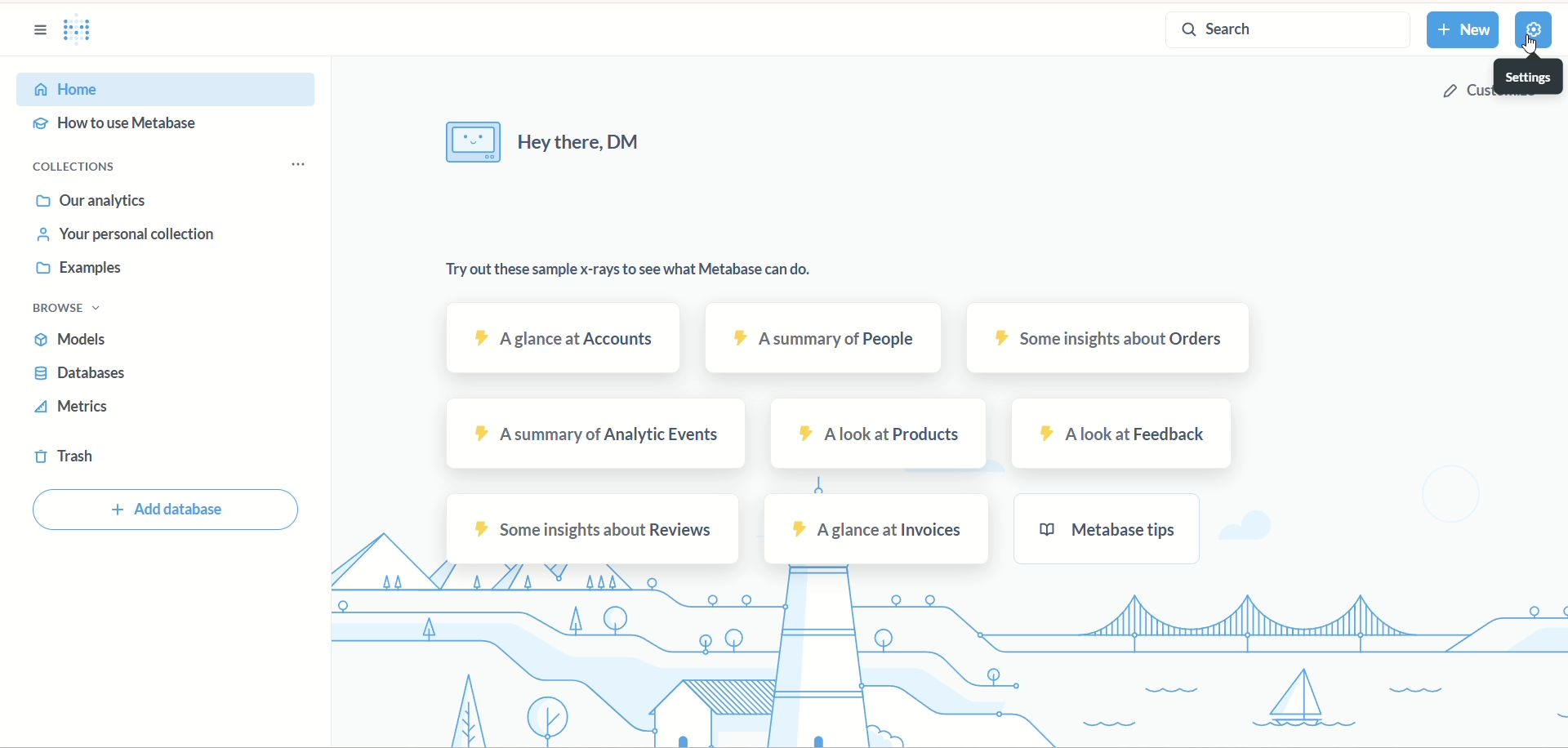  I want to click on Cursor, so click(1525, 49).